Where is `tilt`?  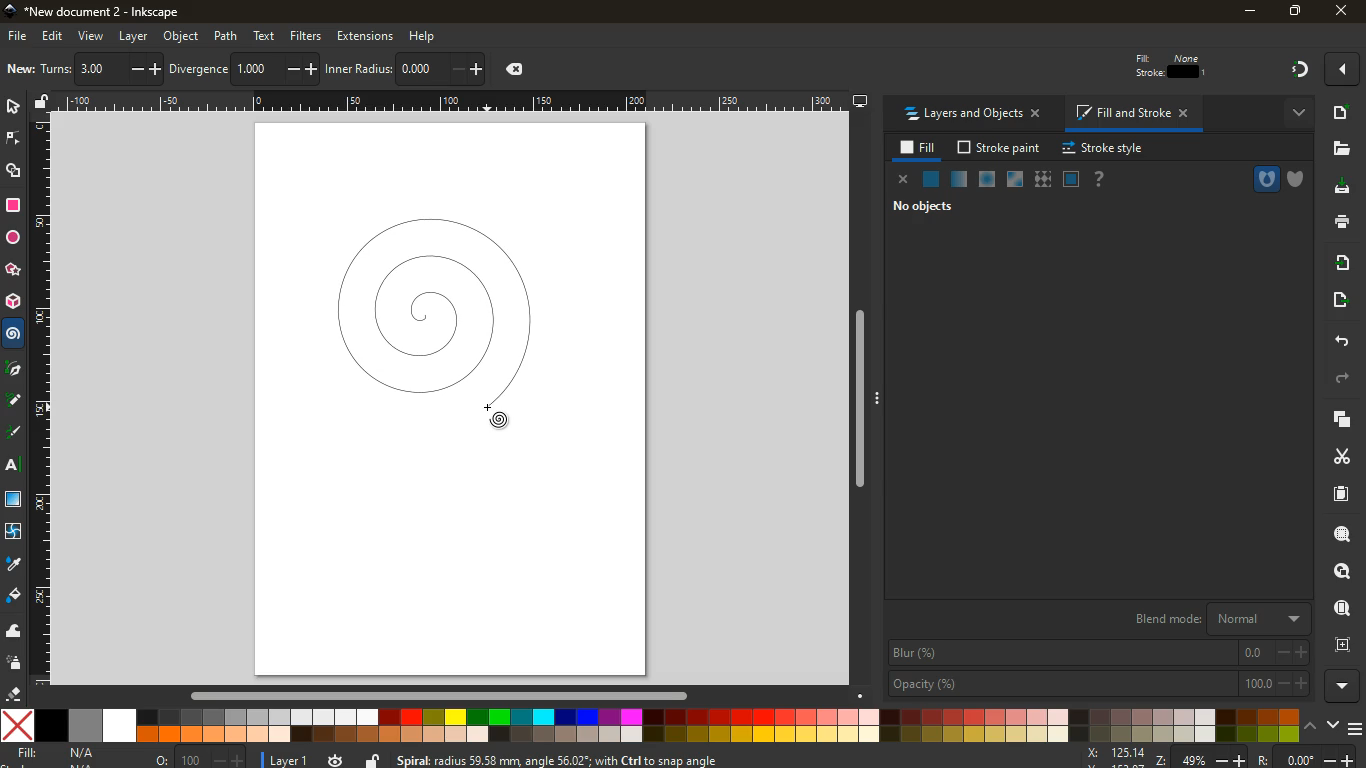
tilt is located at coordinates (196, 69).